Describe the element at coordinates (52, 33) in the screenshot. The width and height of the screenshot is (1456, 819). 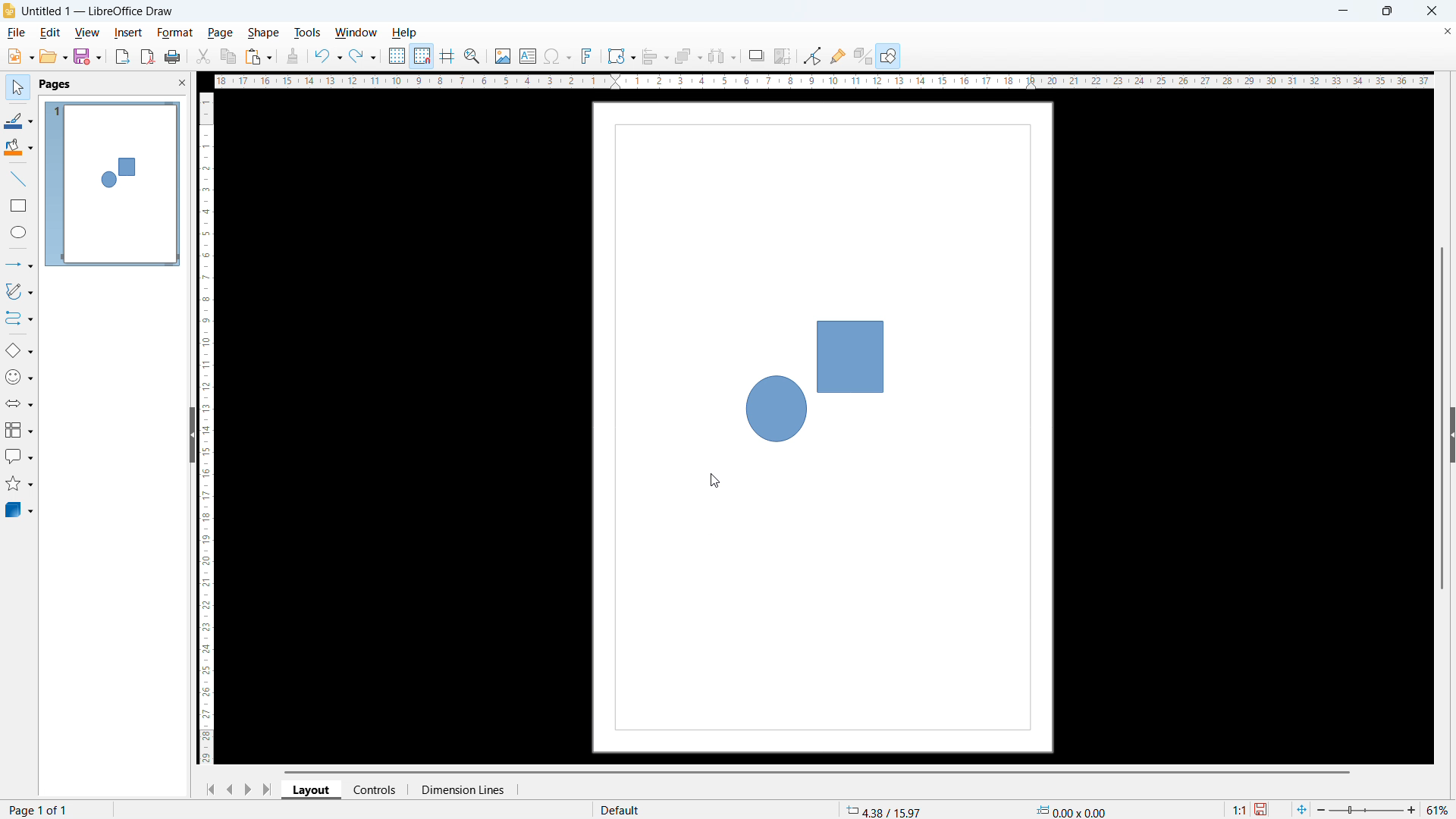
I see `edit` at that location.